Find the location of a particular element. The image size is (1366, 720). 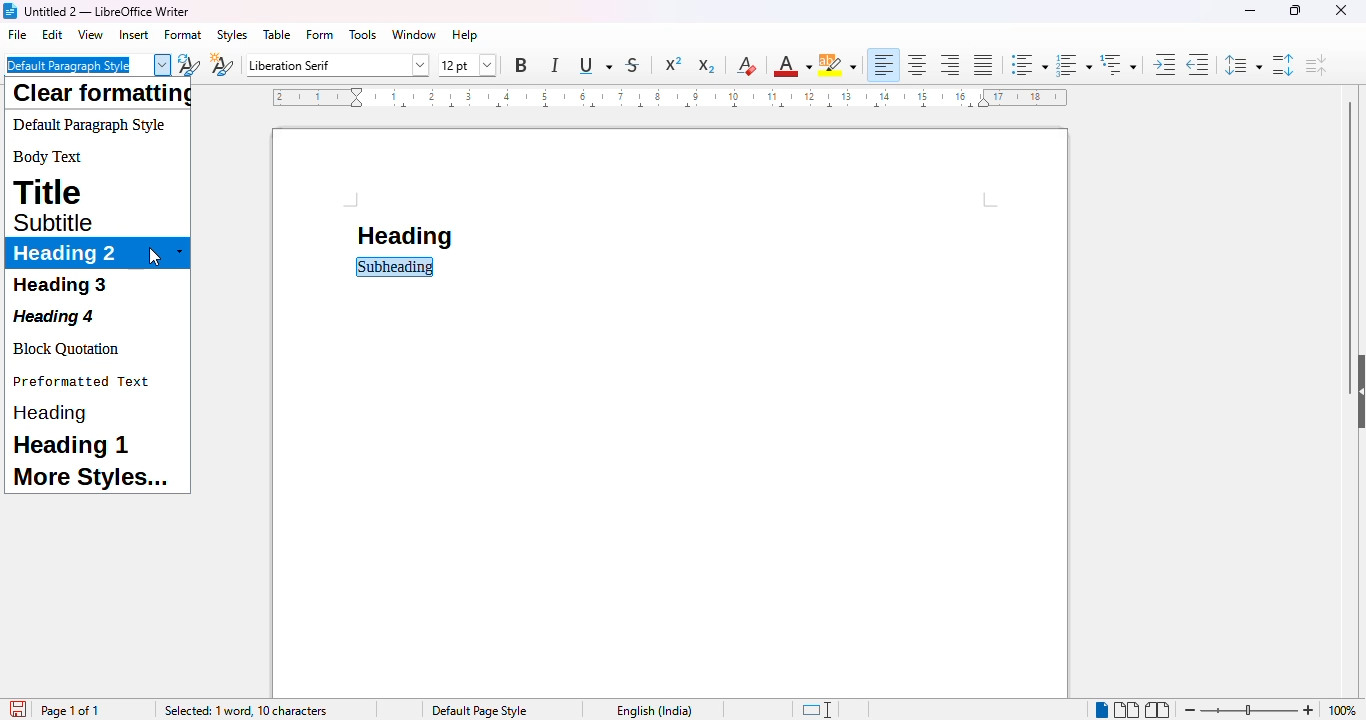

body text is located at coordinates (49, 157).